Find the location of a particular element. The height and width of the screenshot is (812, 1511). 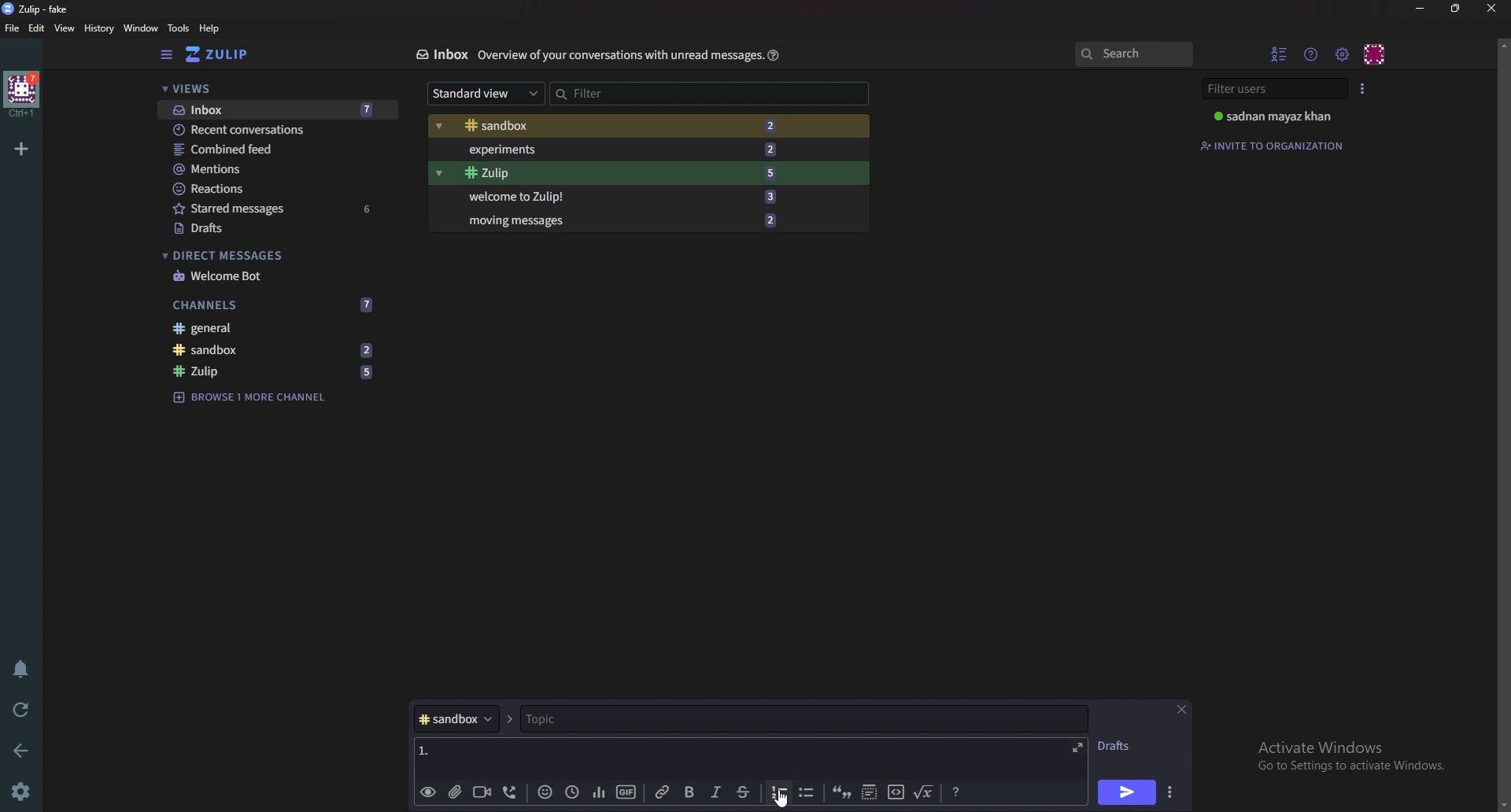

Expand is located at coordinates (1076, 746).